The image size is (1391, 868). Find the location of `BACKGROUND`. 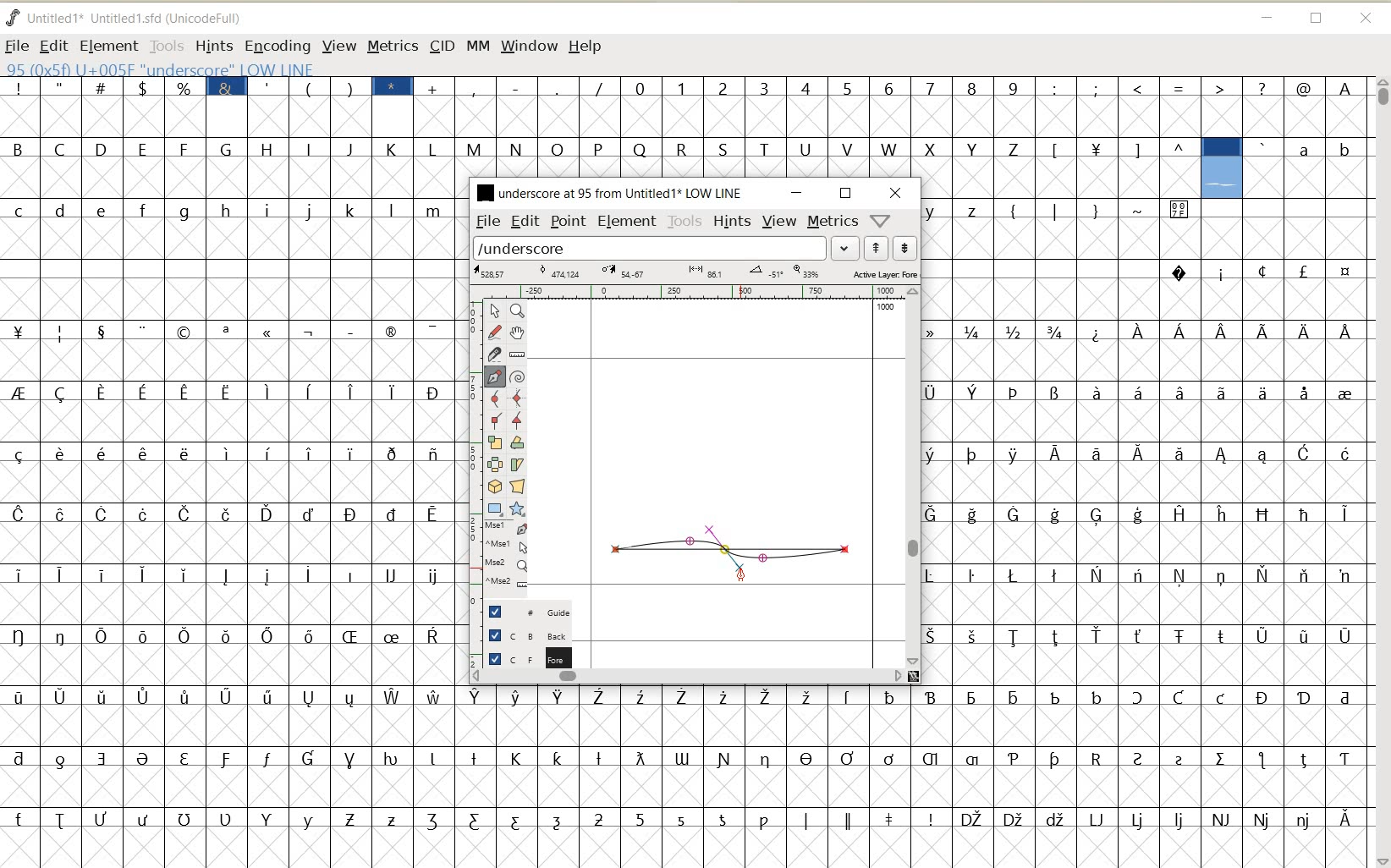

BACKGROUND is located at coordinates (522, 635).